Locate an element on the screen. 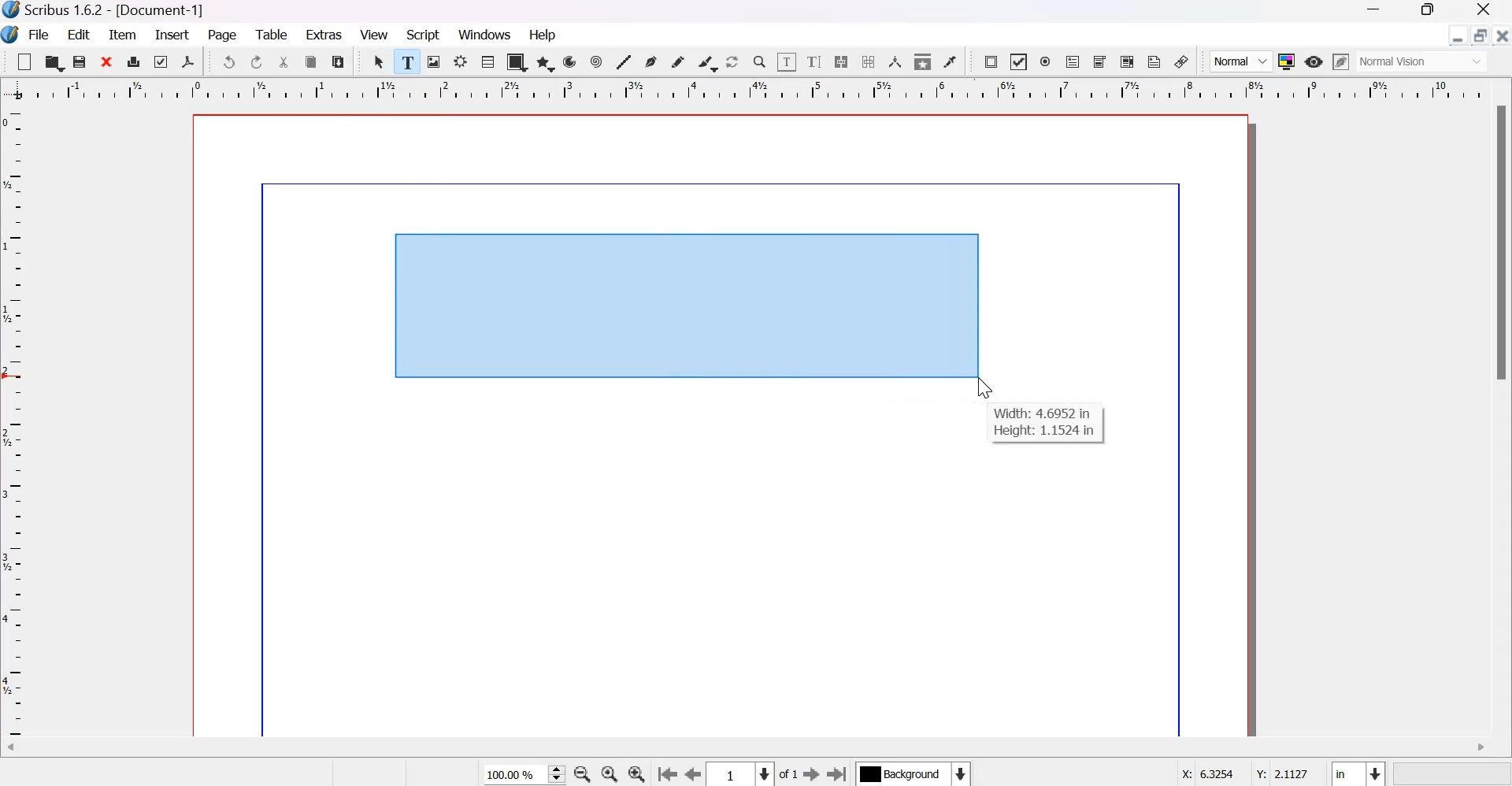  PDF check box is located at coordinates (1017, 62).